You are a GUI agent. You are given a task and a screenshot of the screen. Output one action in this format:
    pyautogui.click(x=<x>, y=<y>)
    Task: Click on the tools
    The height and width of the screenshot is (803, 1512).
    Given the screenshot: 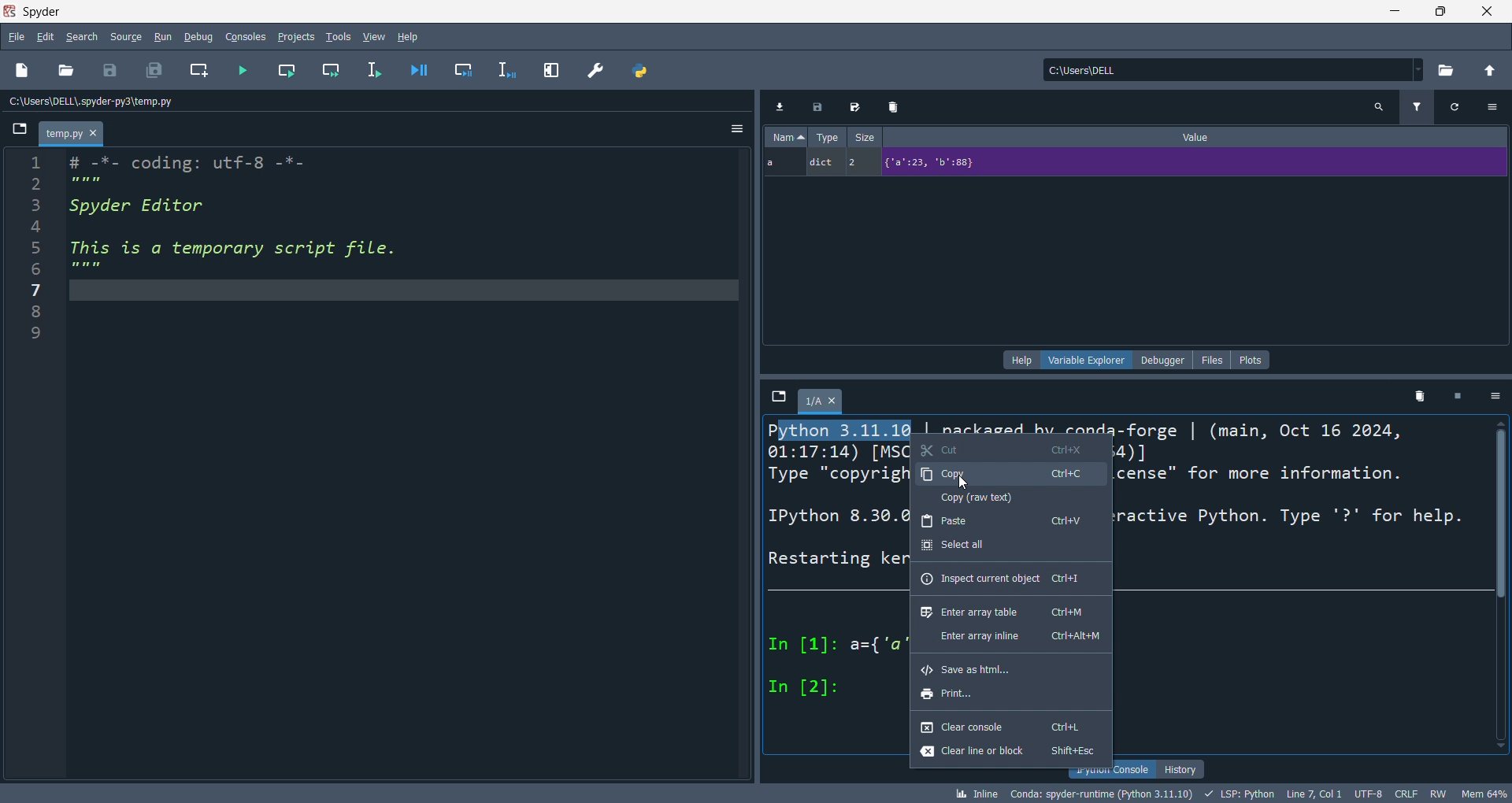 What is the action you would take?
    pyautogui.click(x=339, y=35)
    